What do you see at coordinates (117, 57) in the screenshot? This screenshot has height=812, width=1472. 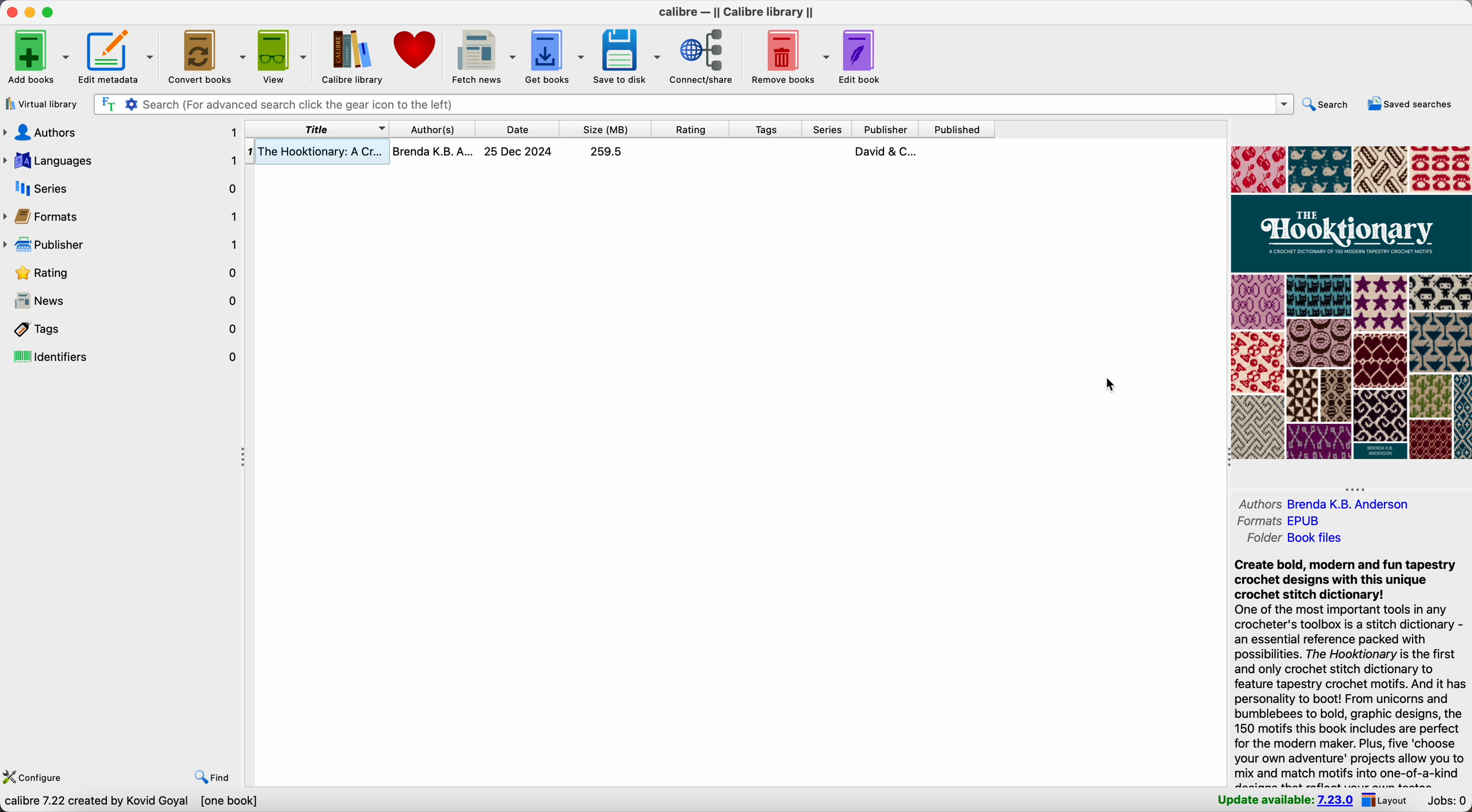 I see `edit metadata` at bounding box center [117, 57].